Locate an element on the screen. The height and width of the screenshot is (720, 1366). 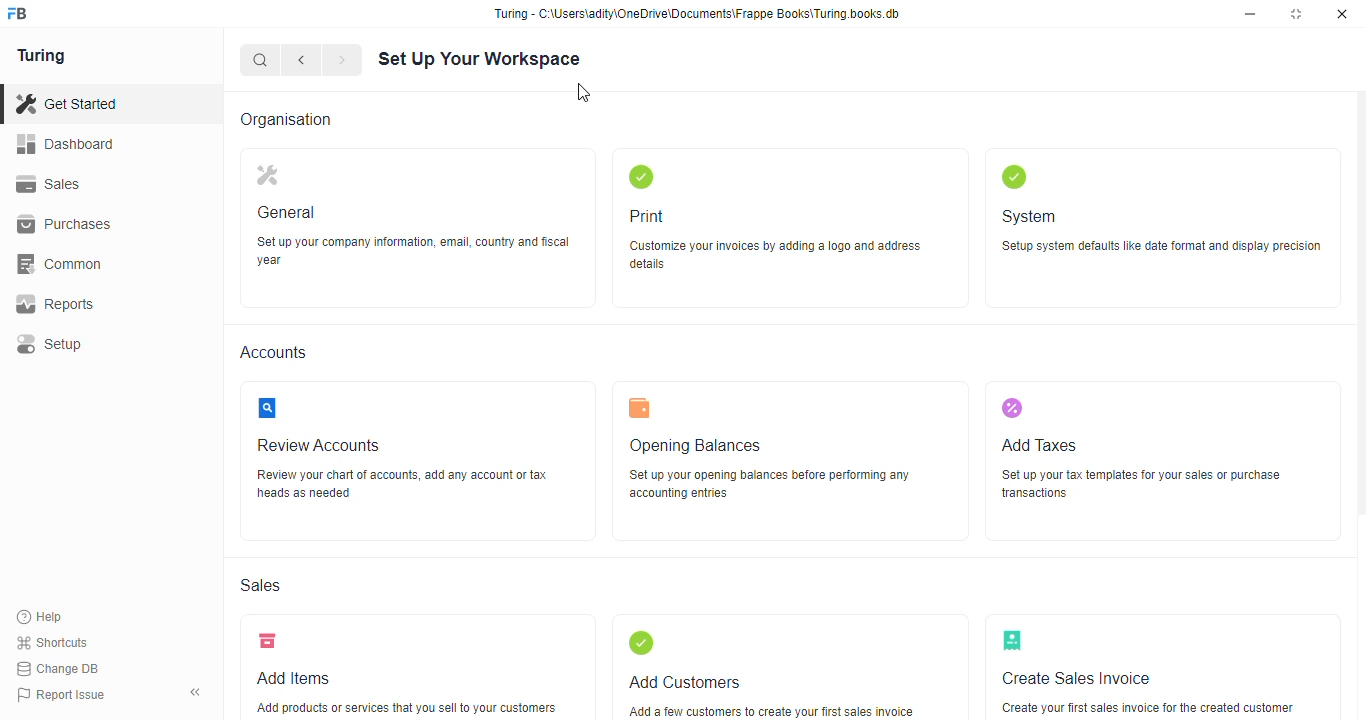
Accounts is located at coordinates (278, 351).